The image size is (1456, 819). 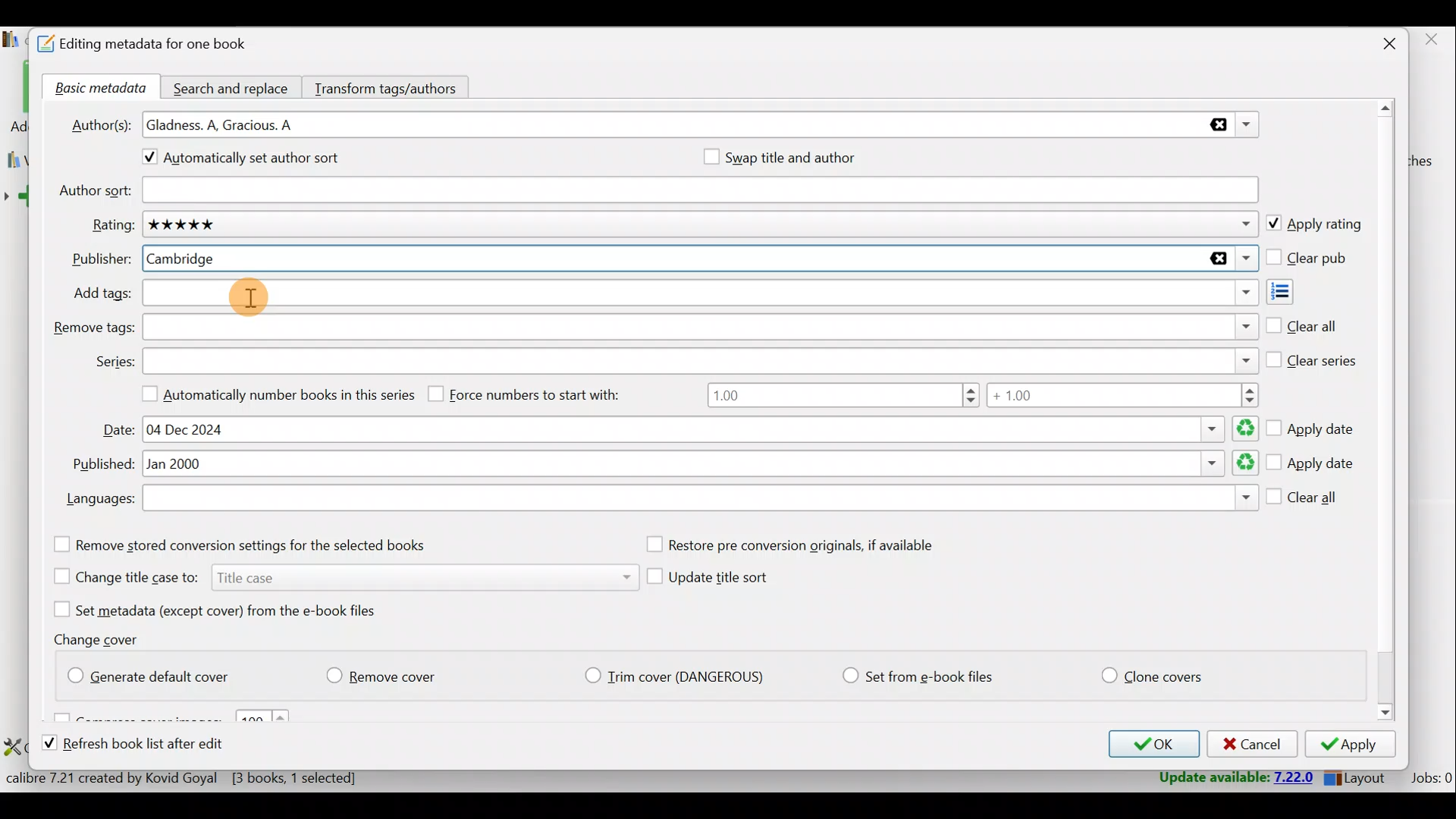 I want to click on Series:, so click(x=114, y=362).